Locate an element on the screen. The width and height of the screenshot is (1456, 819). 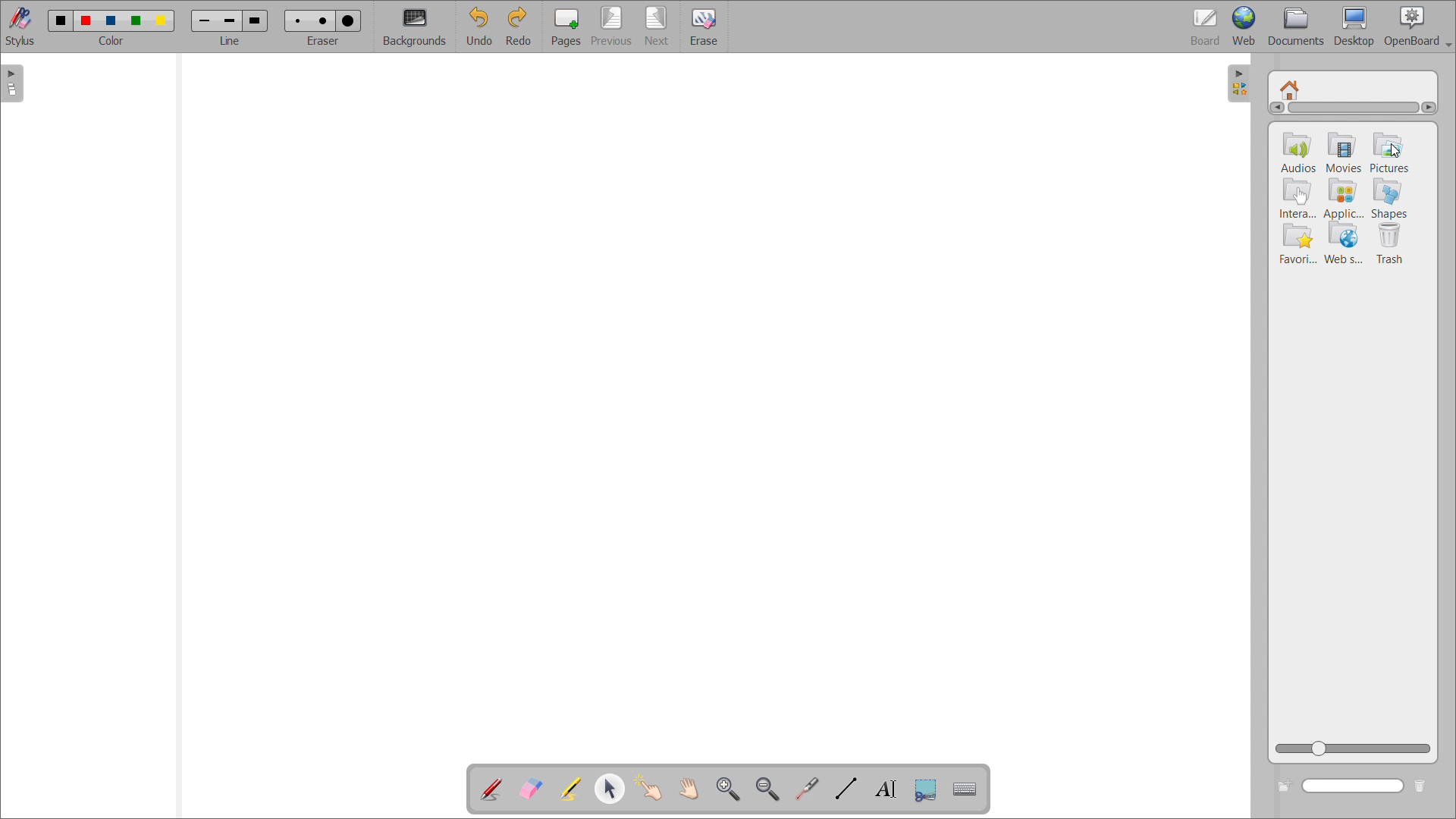
applications is located at coordinates (1345, 199).